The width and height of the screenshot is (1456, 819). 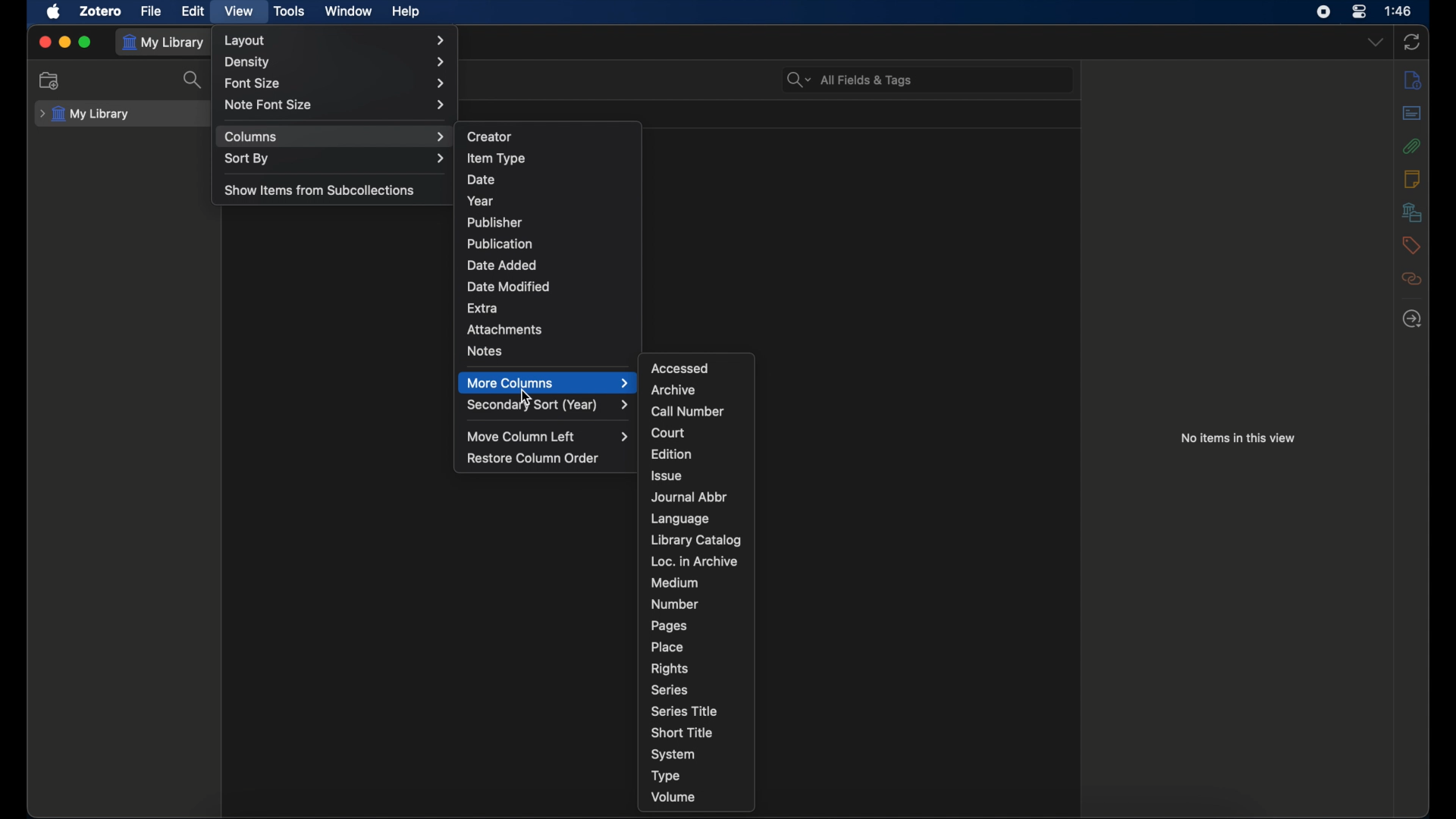 What do you see at coordinates (165, 42) in the screenshot?
I see `my library` at bounding box center [165, 42].